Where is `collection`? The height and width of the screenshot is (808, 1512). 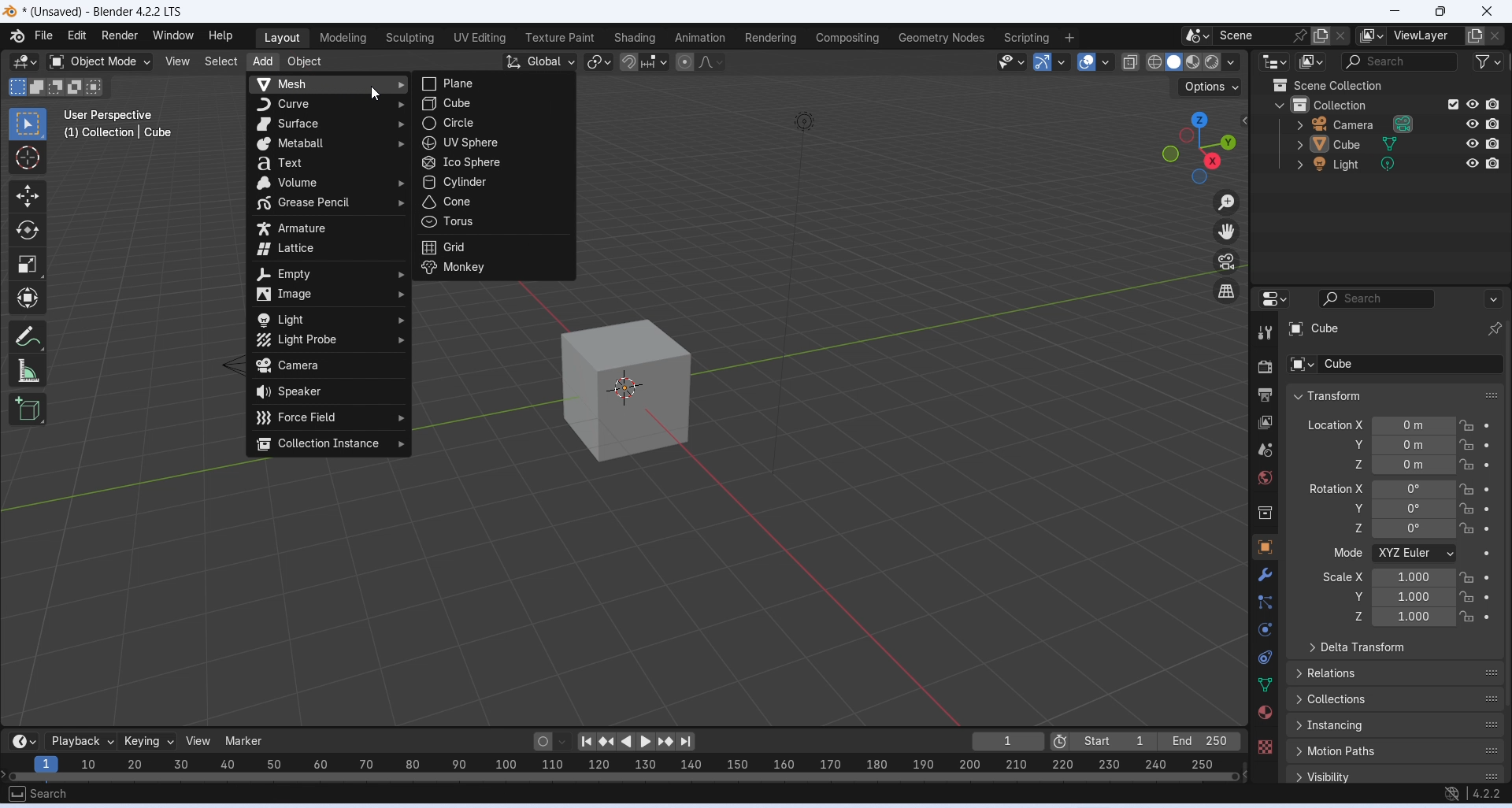
collection is located at coordinates (1266, 514).